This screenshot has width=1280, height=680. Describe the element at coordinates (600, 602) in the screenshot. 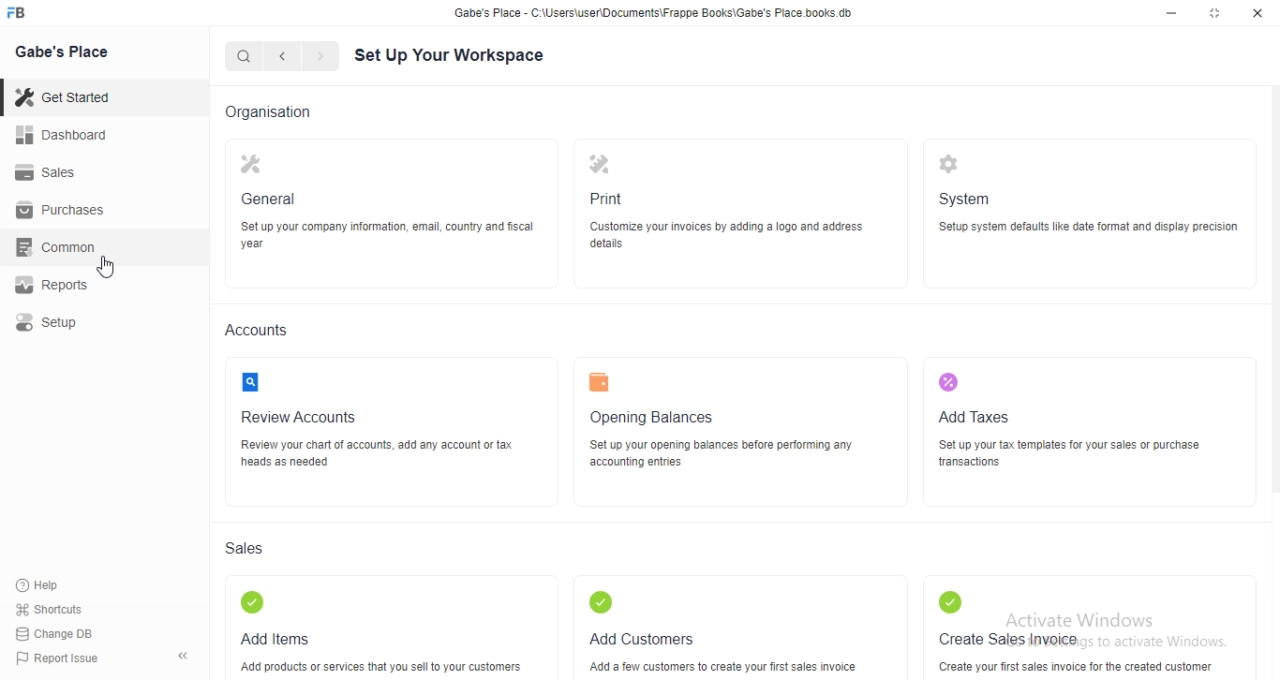

I see `tick mark` at that location.